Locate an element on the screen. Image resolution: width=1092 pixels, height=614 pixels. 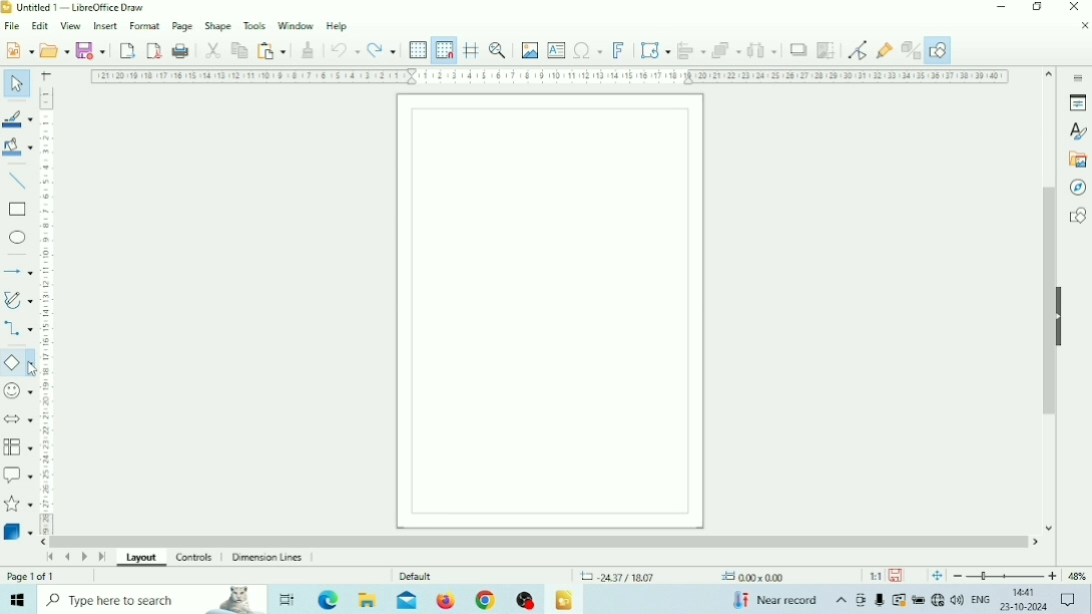
Edit is located at coordinates (40, 26).